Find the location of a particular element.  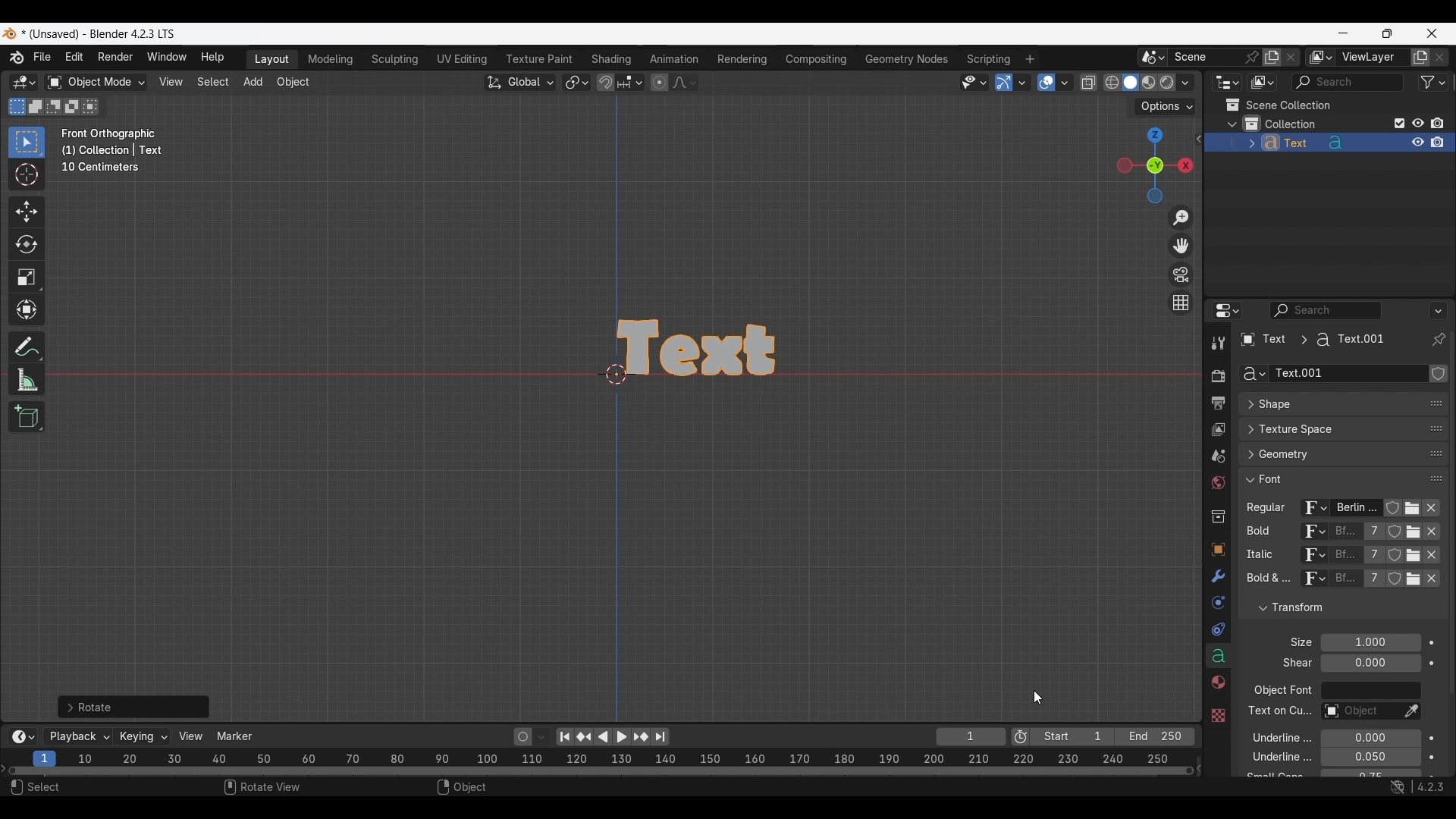

More about Blender is located at coordinates (17, 58).